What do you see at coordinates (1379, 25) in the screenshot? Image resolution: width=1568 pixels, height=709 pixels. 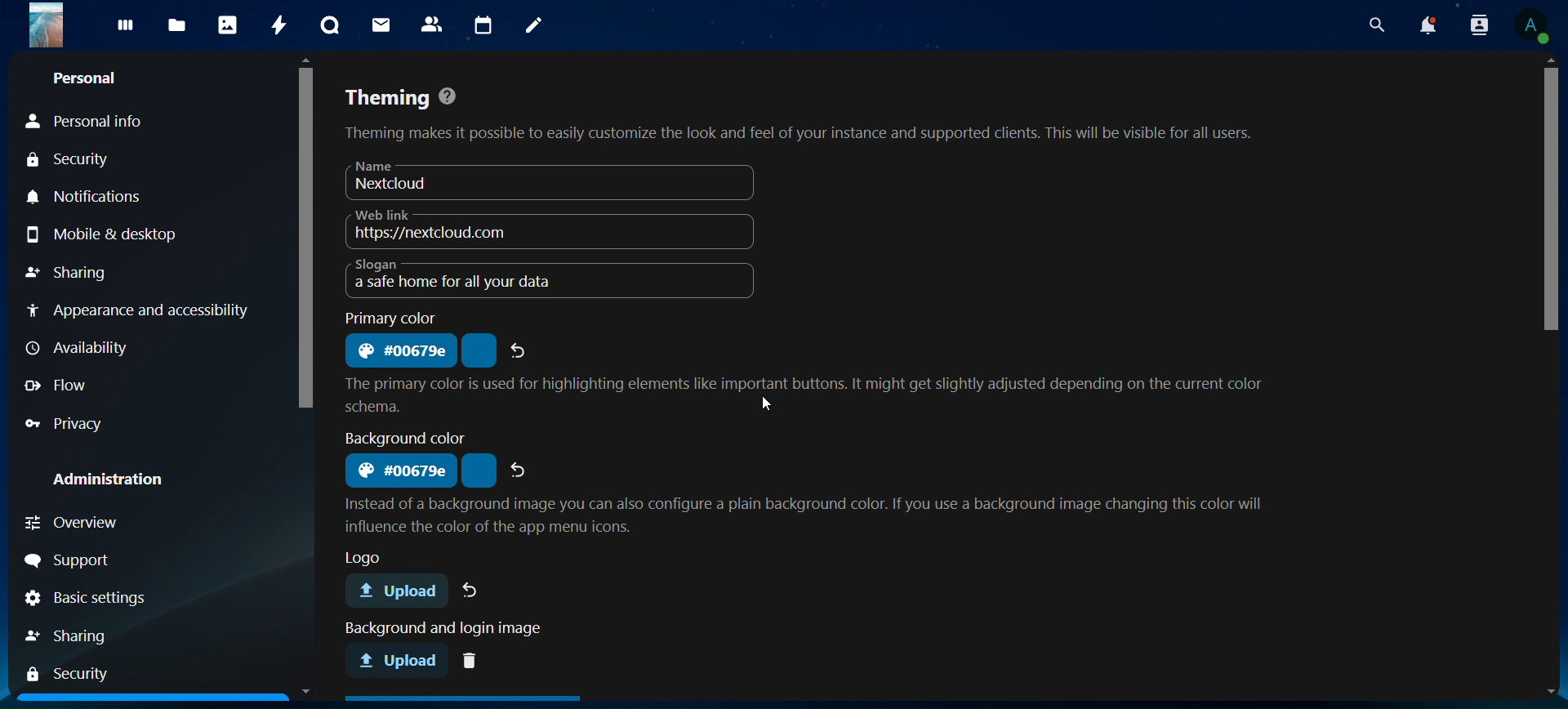 I see `search` at bounding box center [1379, 25].